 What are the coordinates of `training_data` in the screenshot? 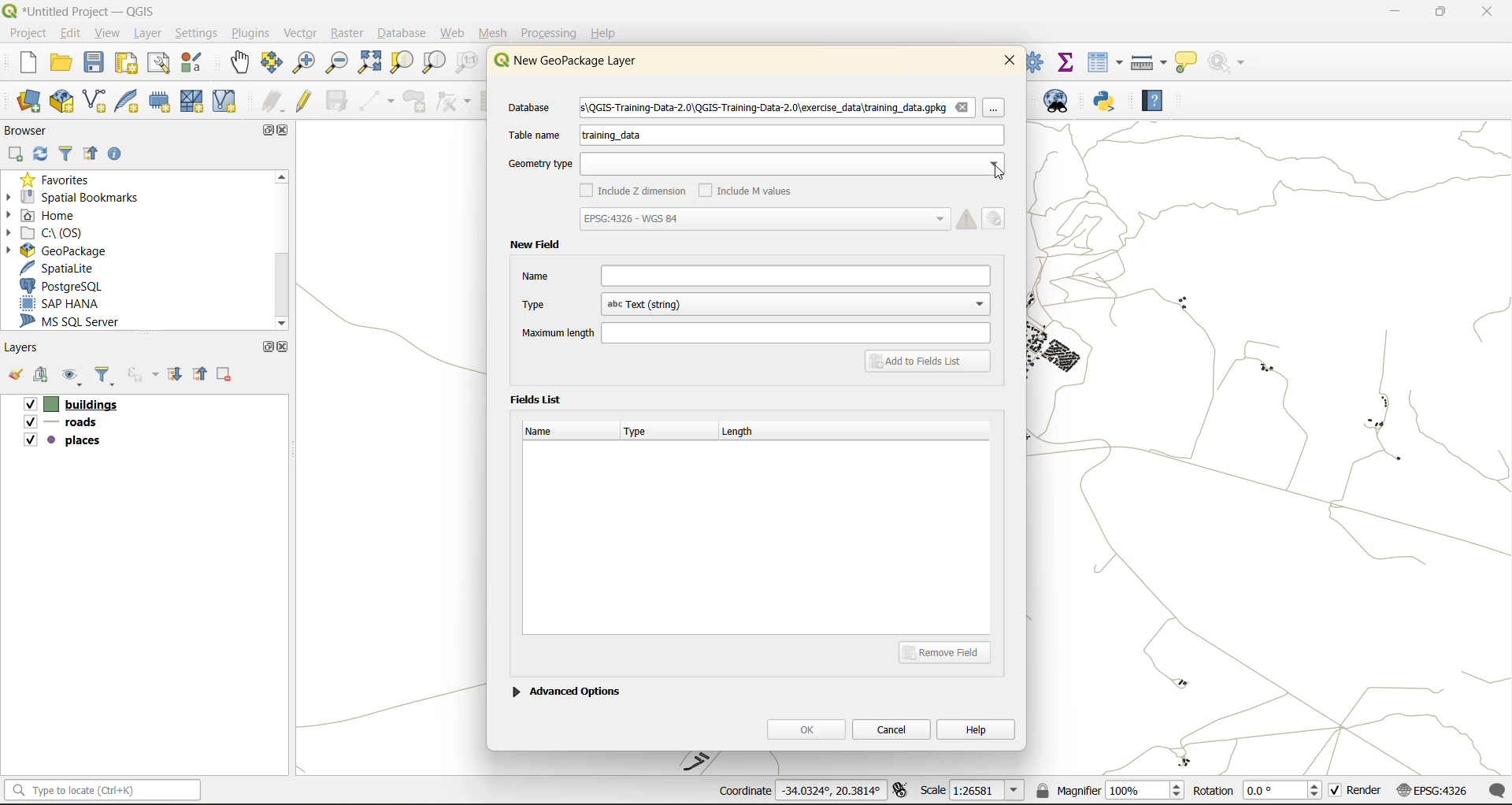 It's located at (612, 138).